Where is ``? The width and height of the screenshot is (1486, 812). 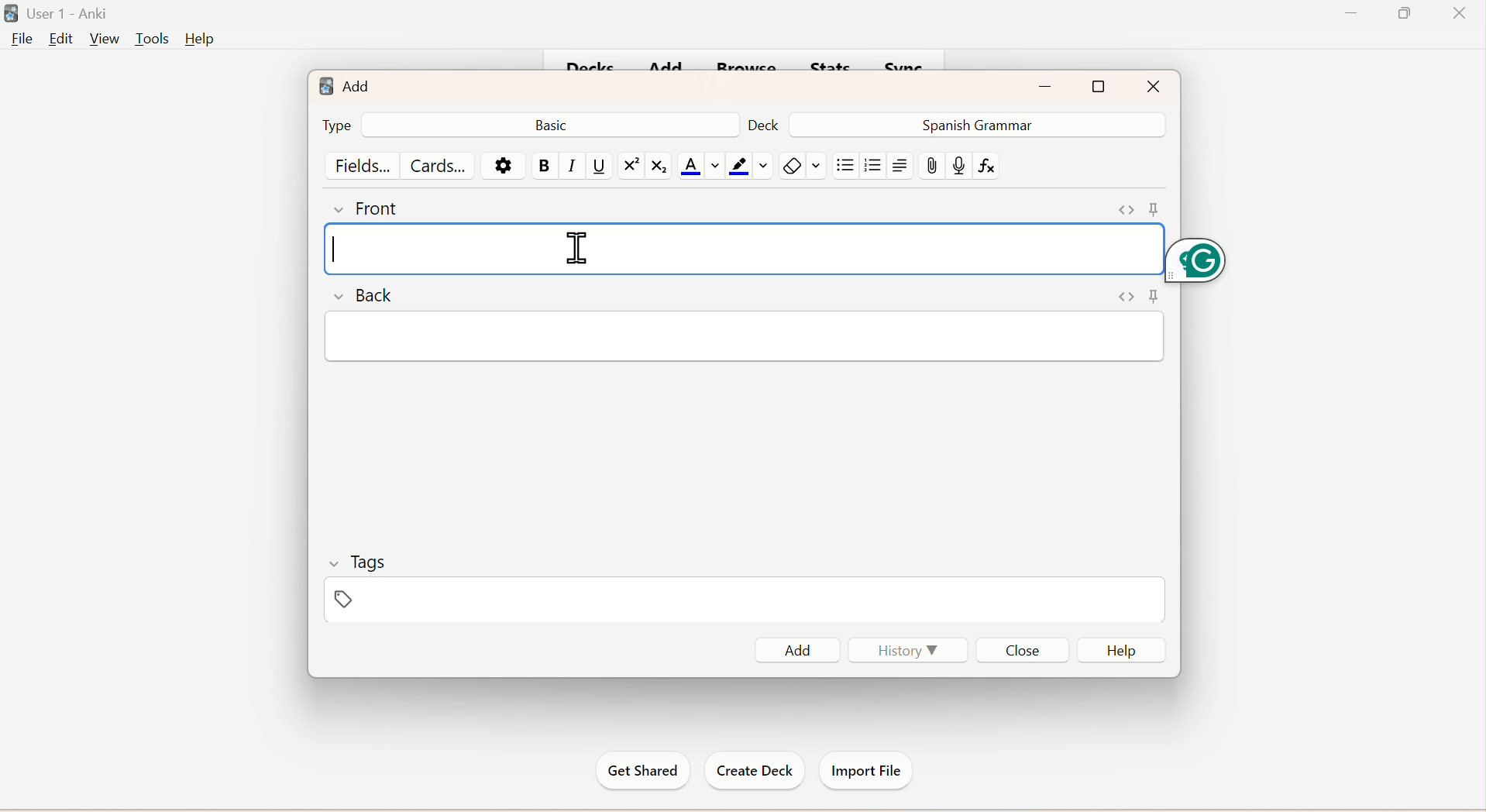  is located at coordinates (365, 295).